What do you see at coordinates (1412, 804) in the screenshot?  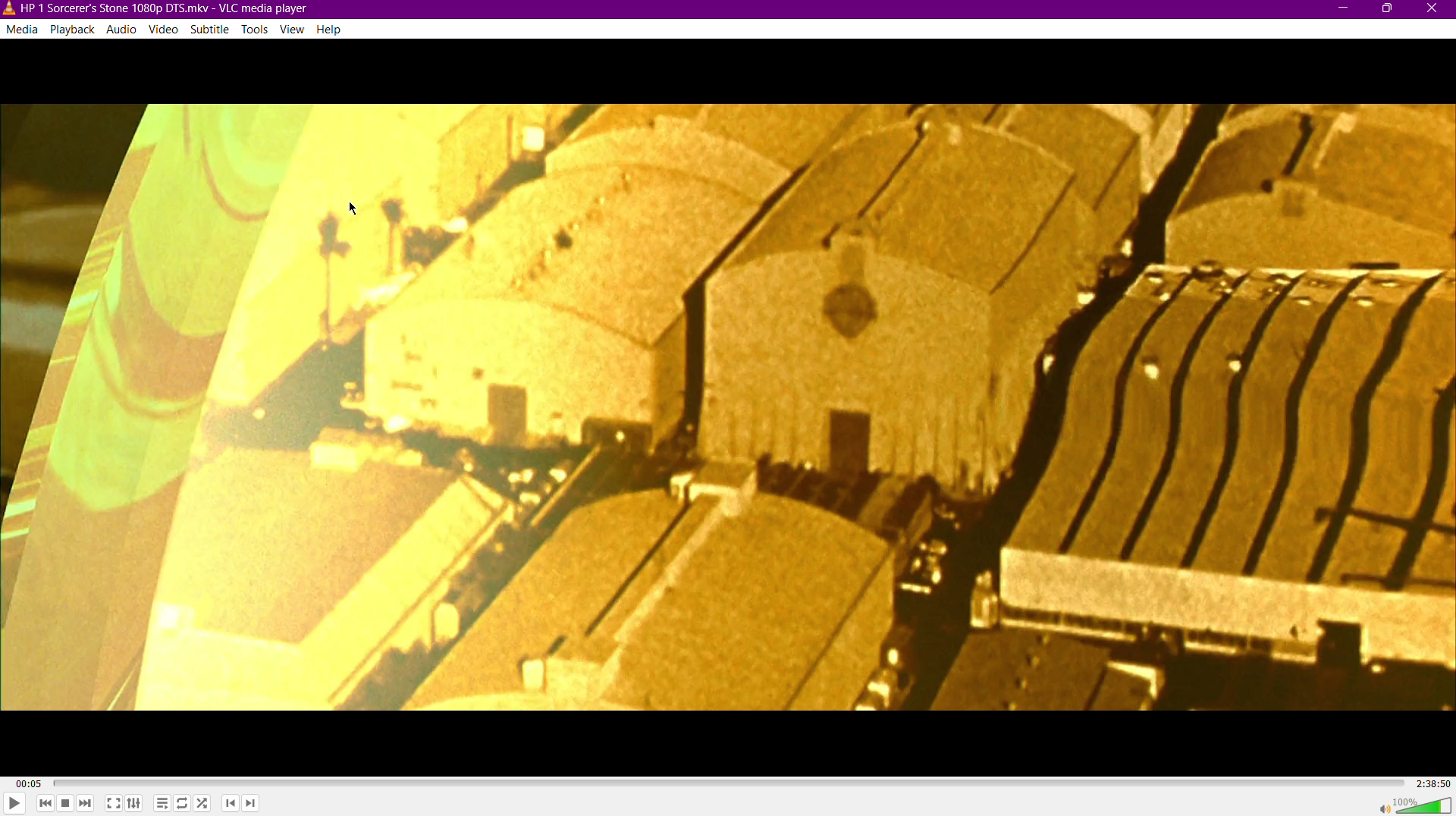 I see `Volume 100%` at bounding box center [1412, 804].